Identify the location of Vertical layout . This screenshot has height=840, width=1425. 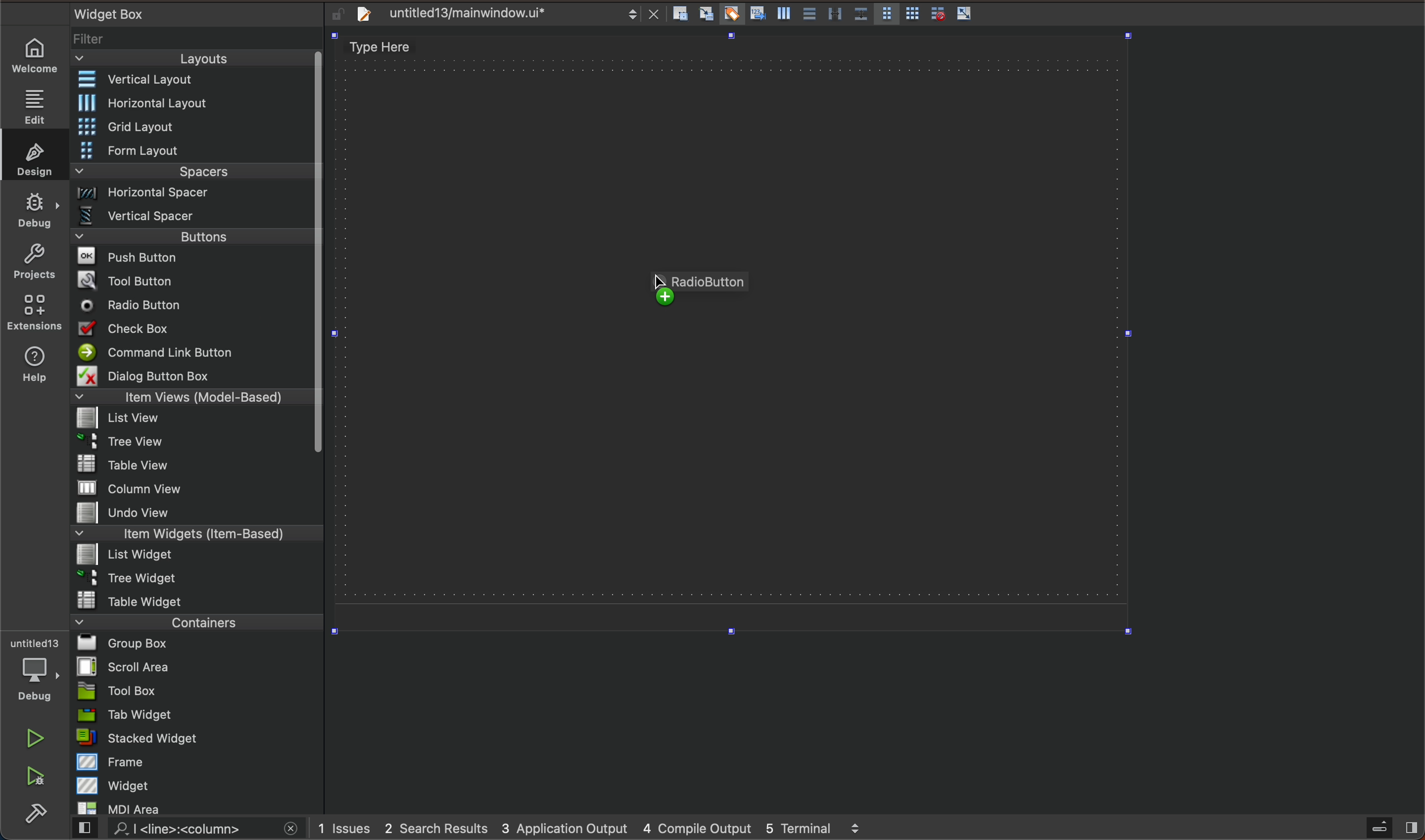
(194, 80).